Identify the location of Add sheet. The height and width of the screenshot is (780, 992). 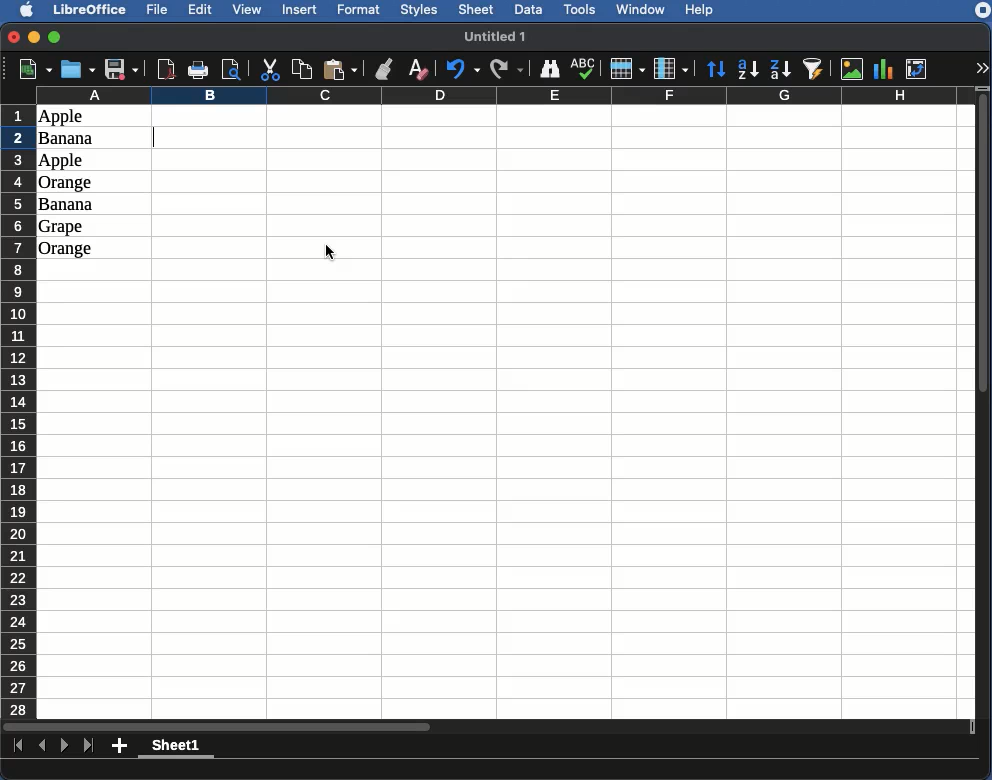
(120, 748).